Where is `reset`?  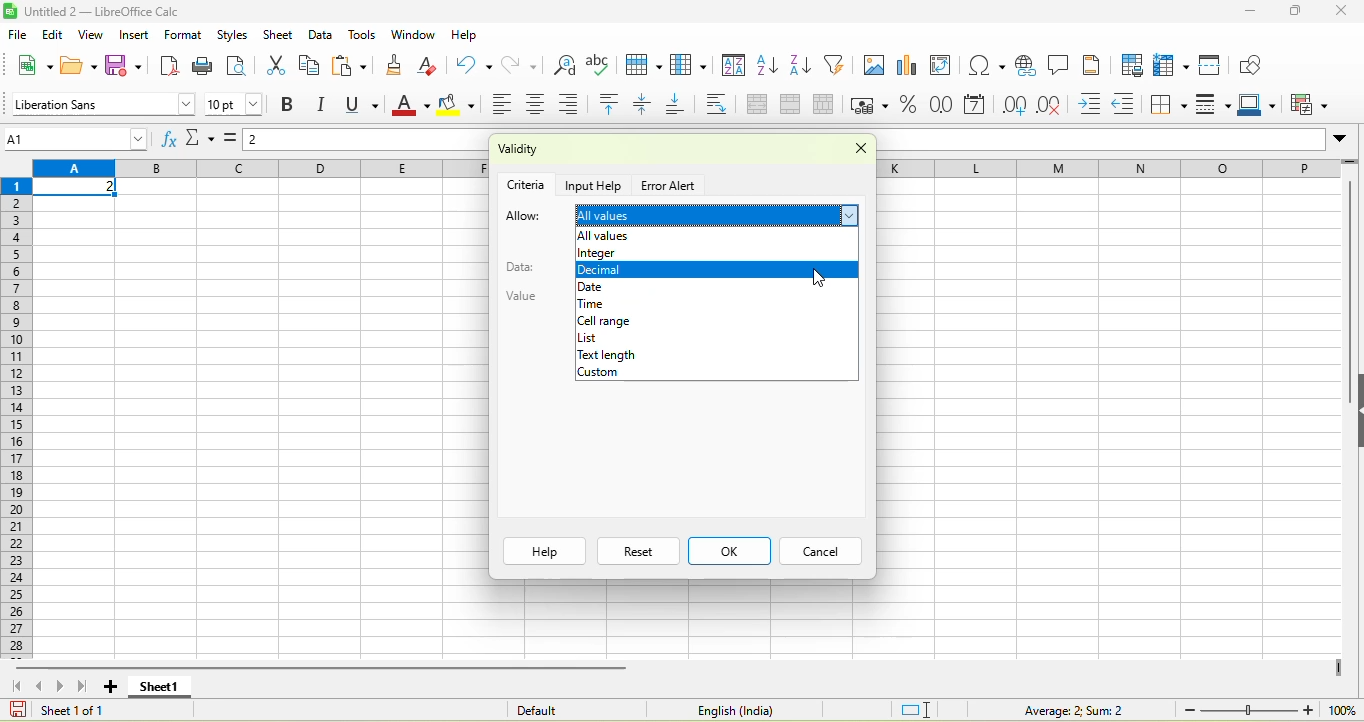 reset is located at coordinates (638, 551).